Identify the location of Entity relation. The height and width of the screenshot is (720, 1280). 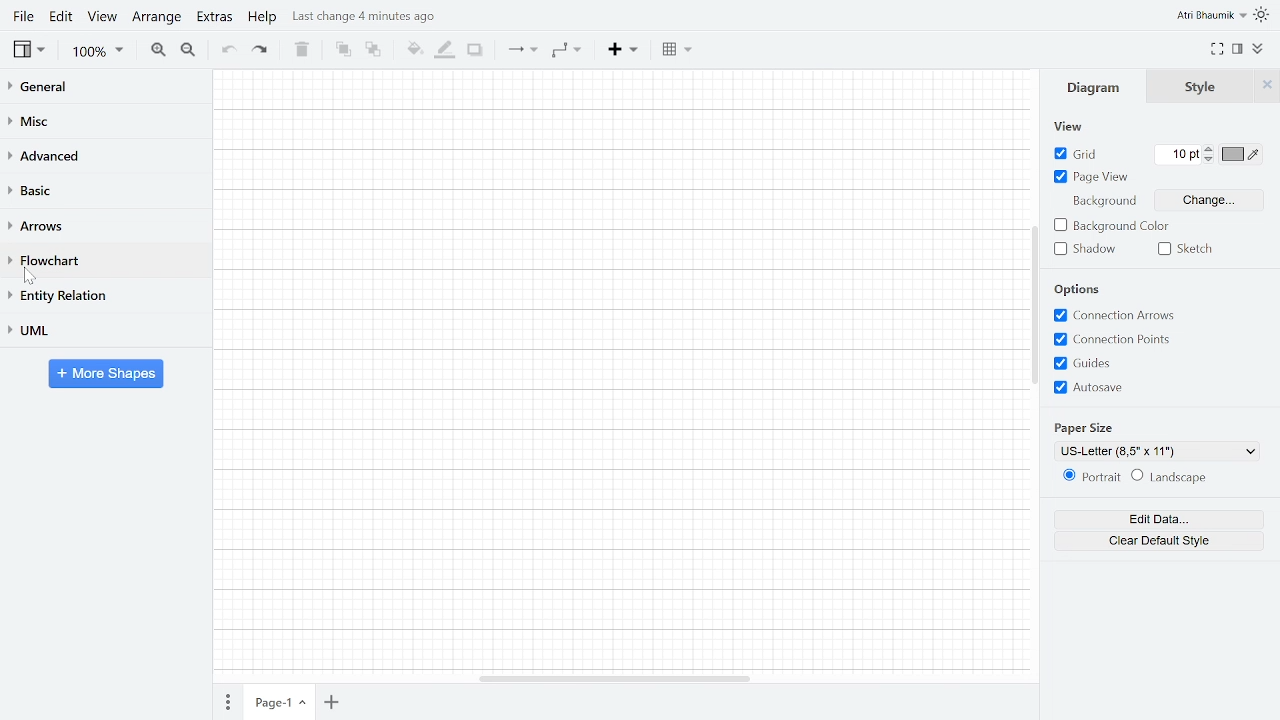
(102, 295).